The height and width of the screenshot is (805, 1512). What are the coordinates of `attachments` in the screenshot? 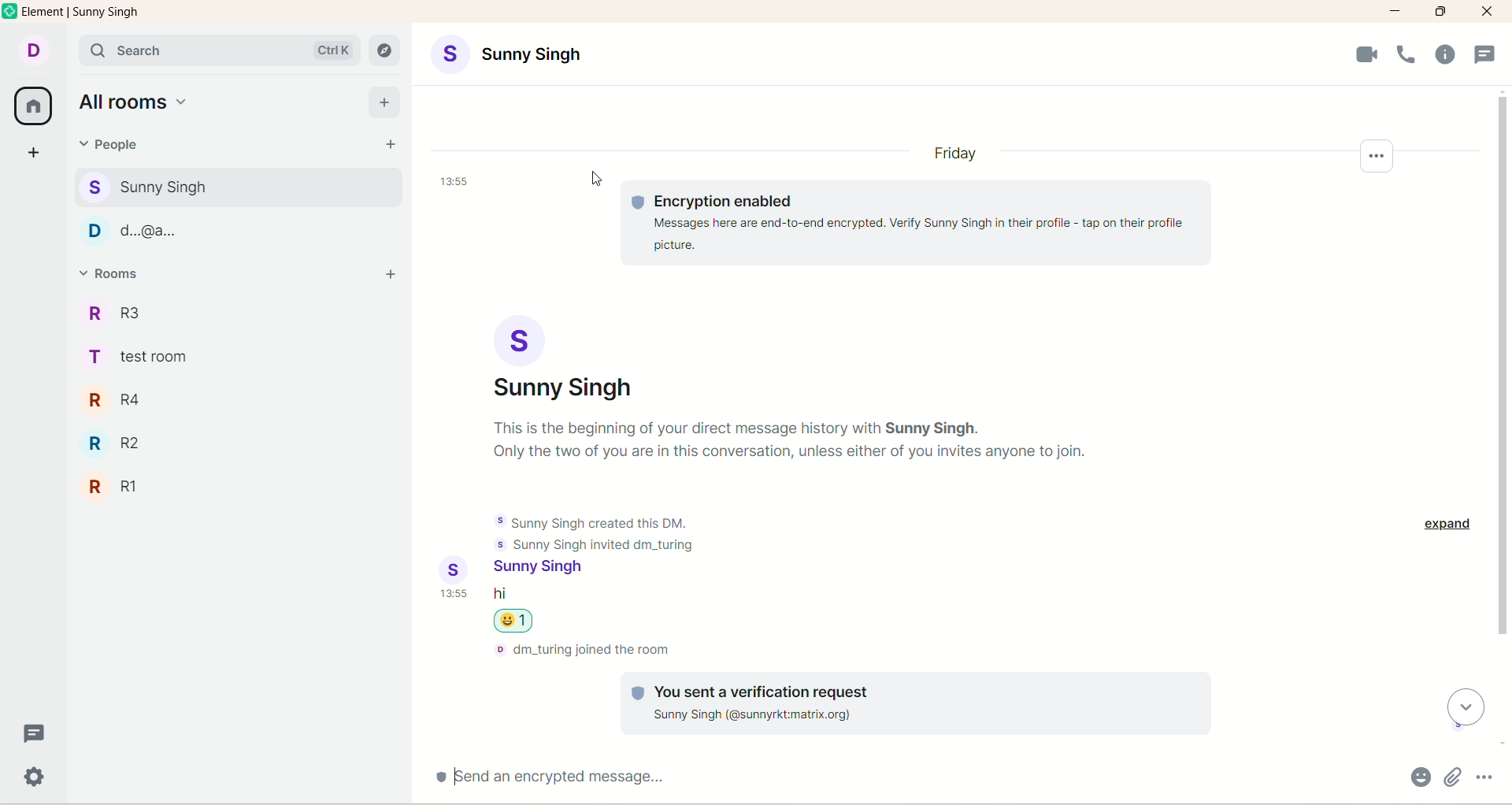 It's located at (1453, 777).